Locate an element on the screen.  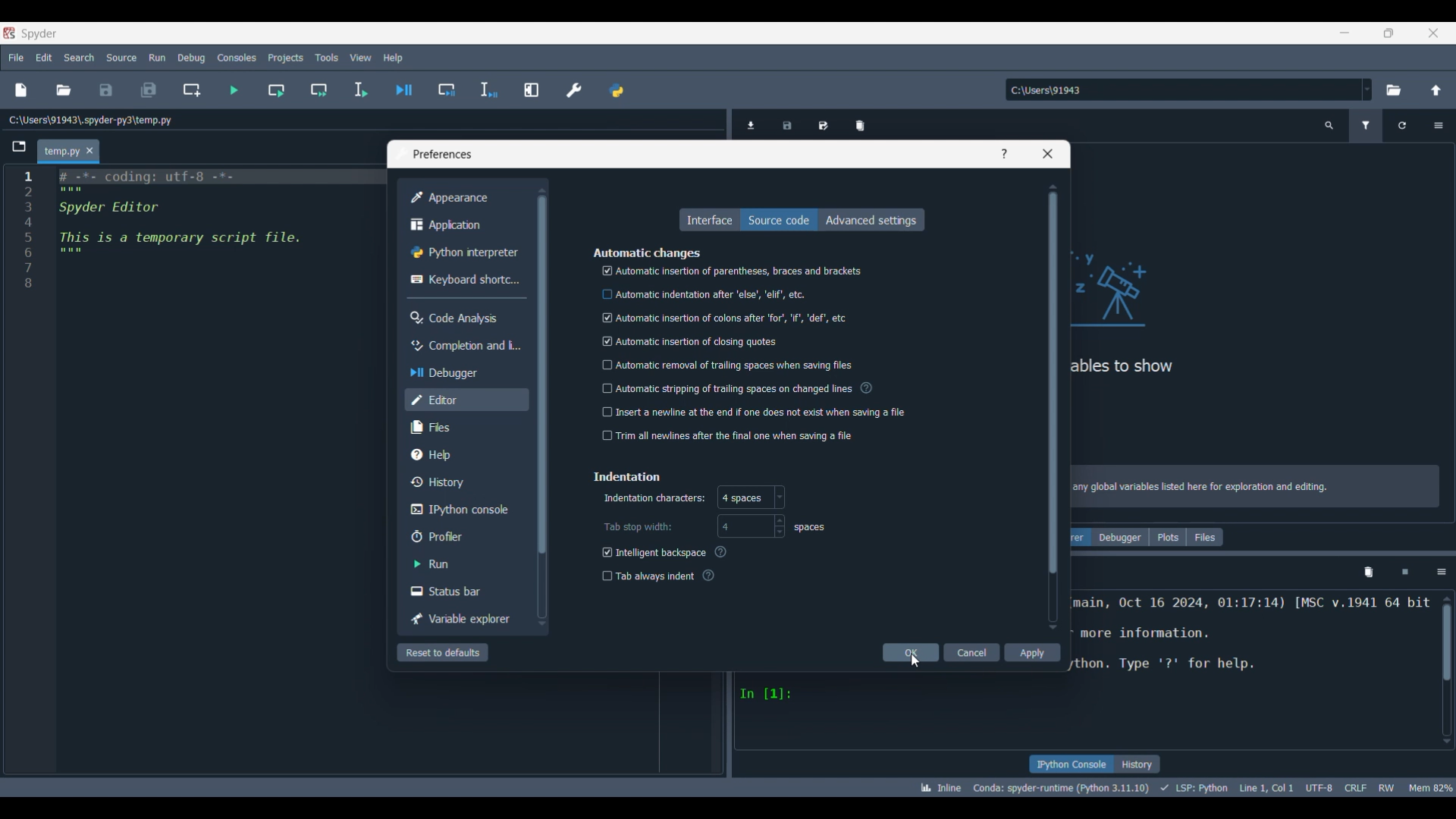
Description of toggle setting is located at coordinates (866, 388).